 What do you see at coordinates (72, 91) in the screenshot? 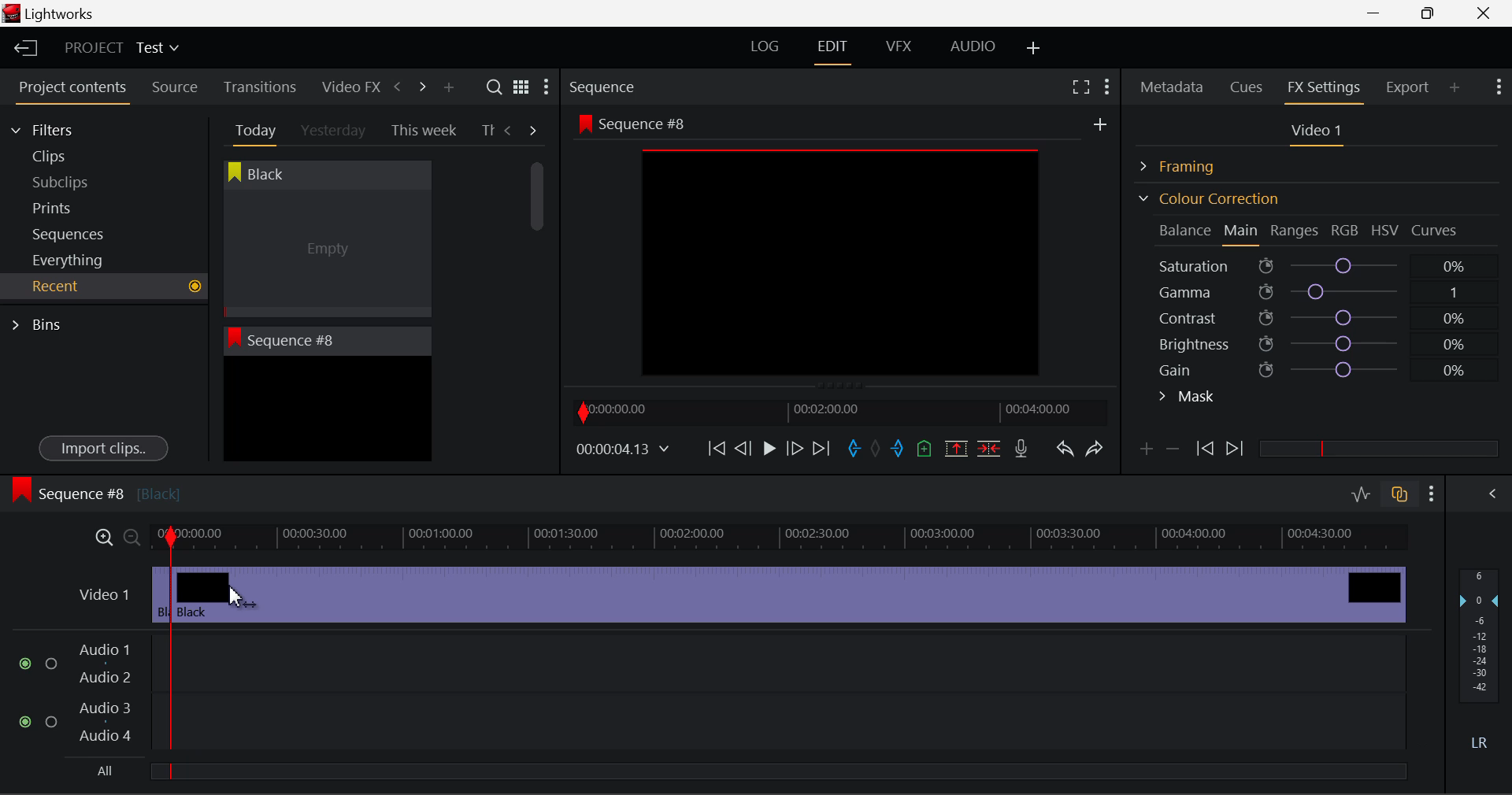
I see `Project contents` at bounding box center [72, 91].